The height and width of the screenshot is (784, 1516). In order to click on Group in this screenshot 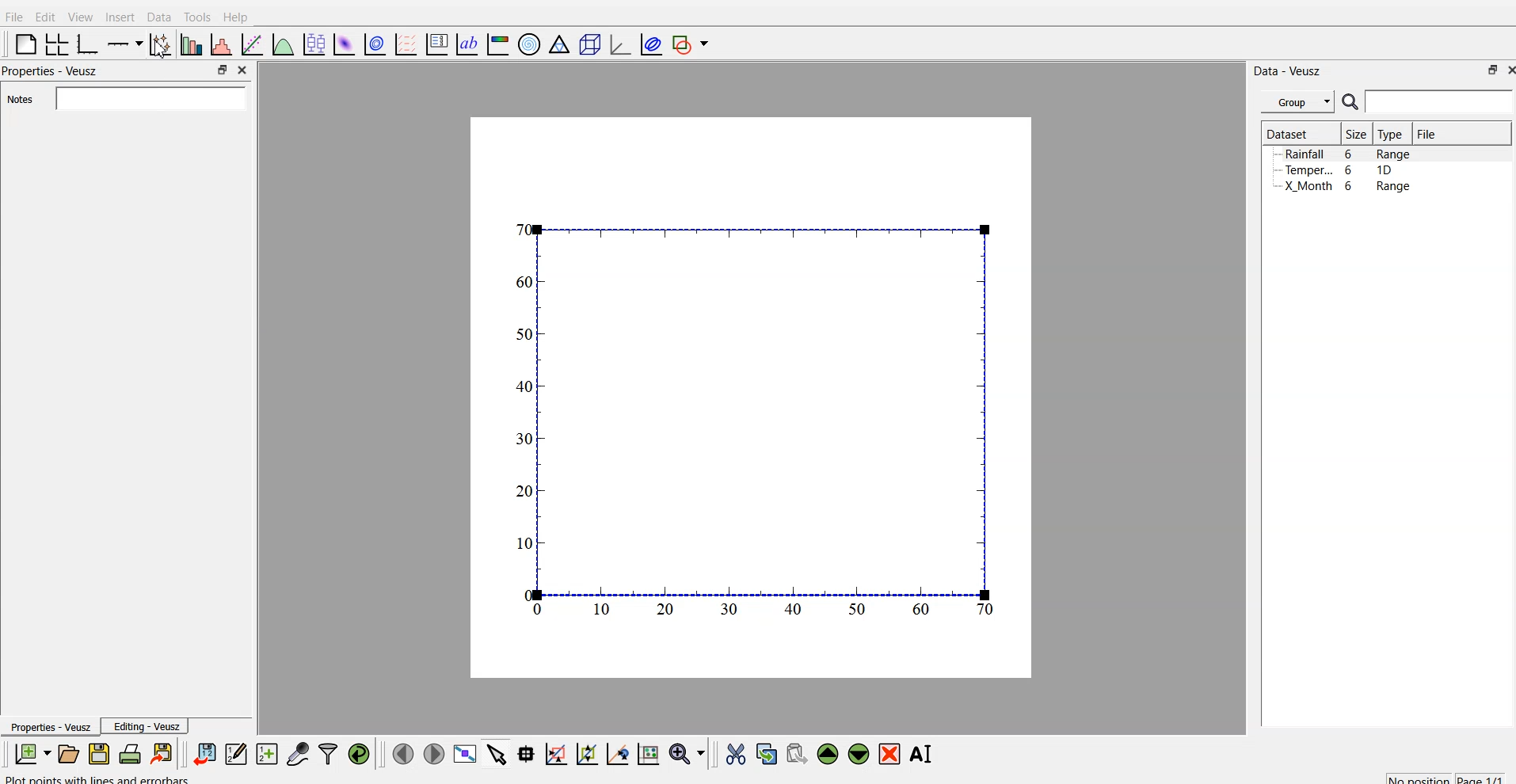, I will do `click(1297, 102)`.